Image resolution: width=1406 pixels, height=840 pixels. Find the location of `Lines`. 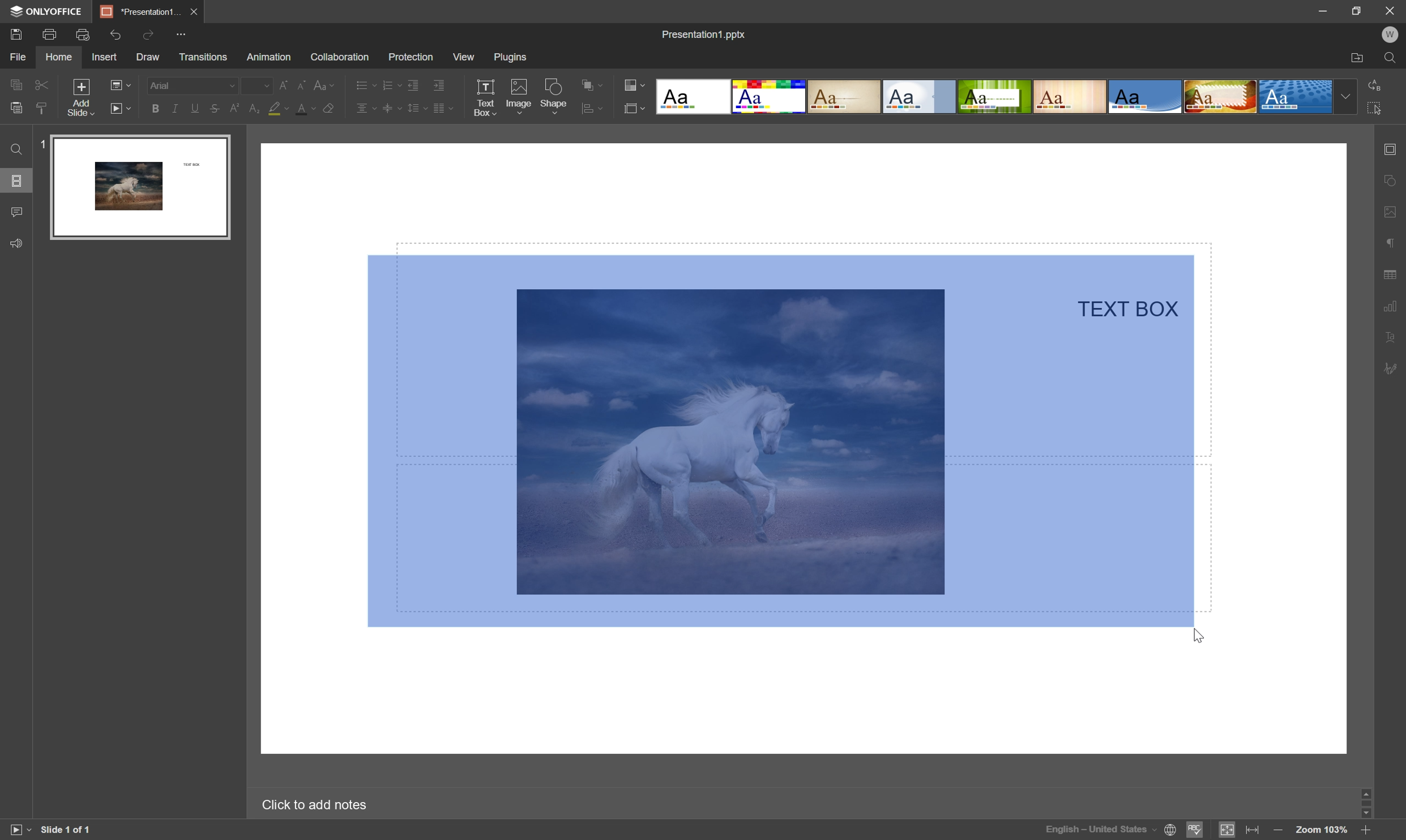

Lines is located at coordinates (1070, 96).